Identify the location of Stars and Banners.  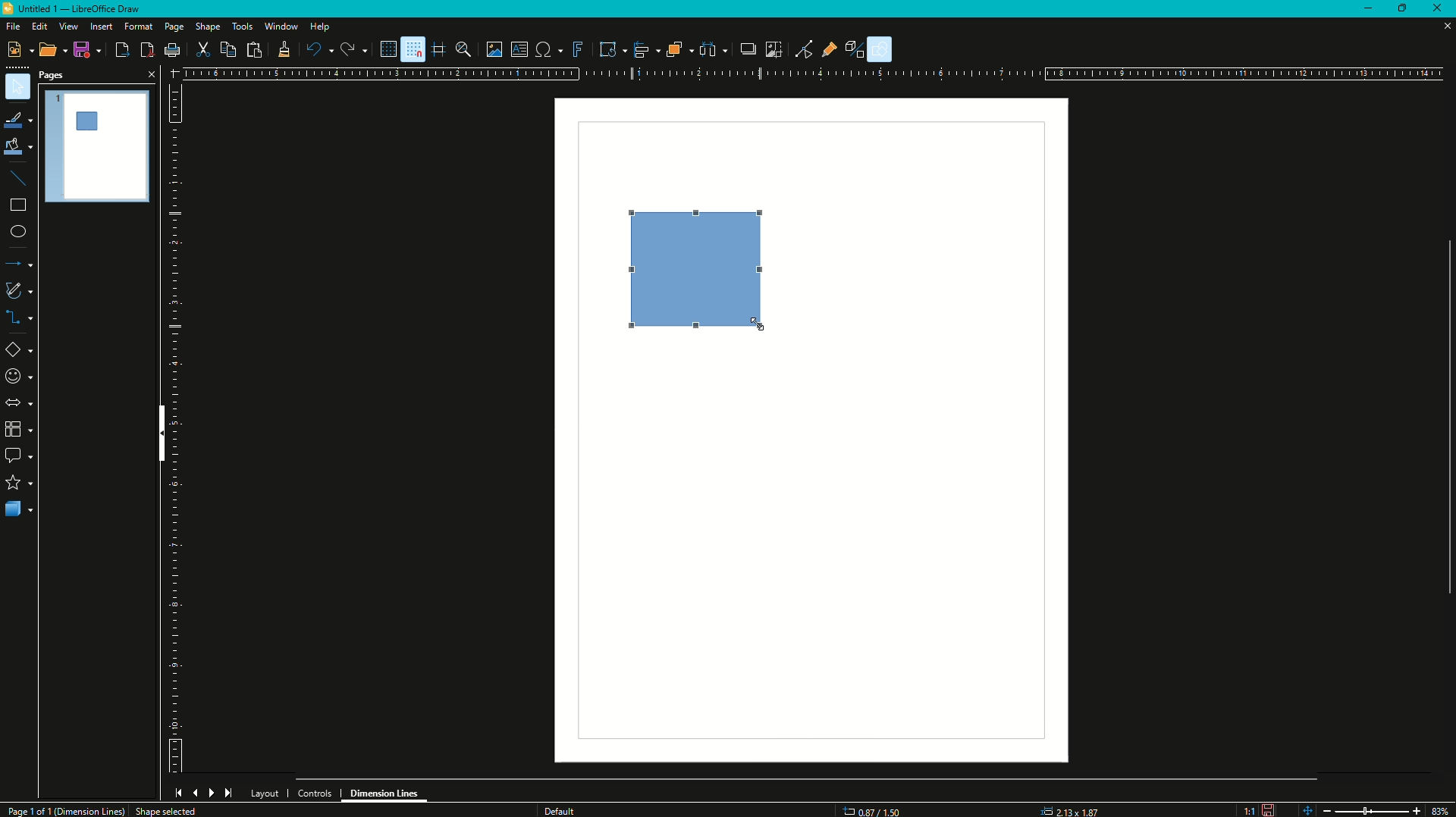
(19, 484).